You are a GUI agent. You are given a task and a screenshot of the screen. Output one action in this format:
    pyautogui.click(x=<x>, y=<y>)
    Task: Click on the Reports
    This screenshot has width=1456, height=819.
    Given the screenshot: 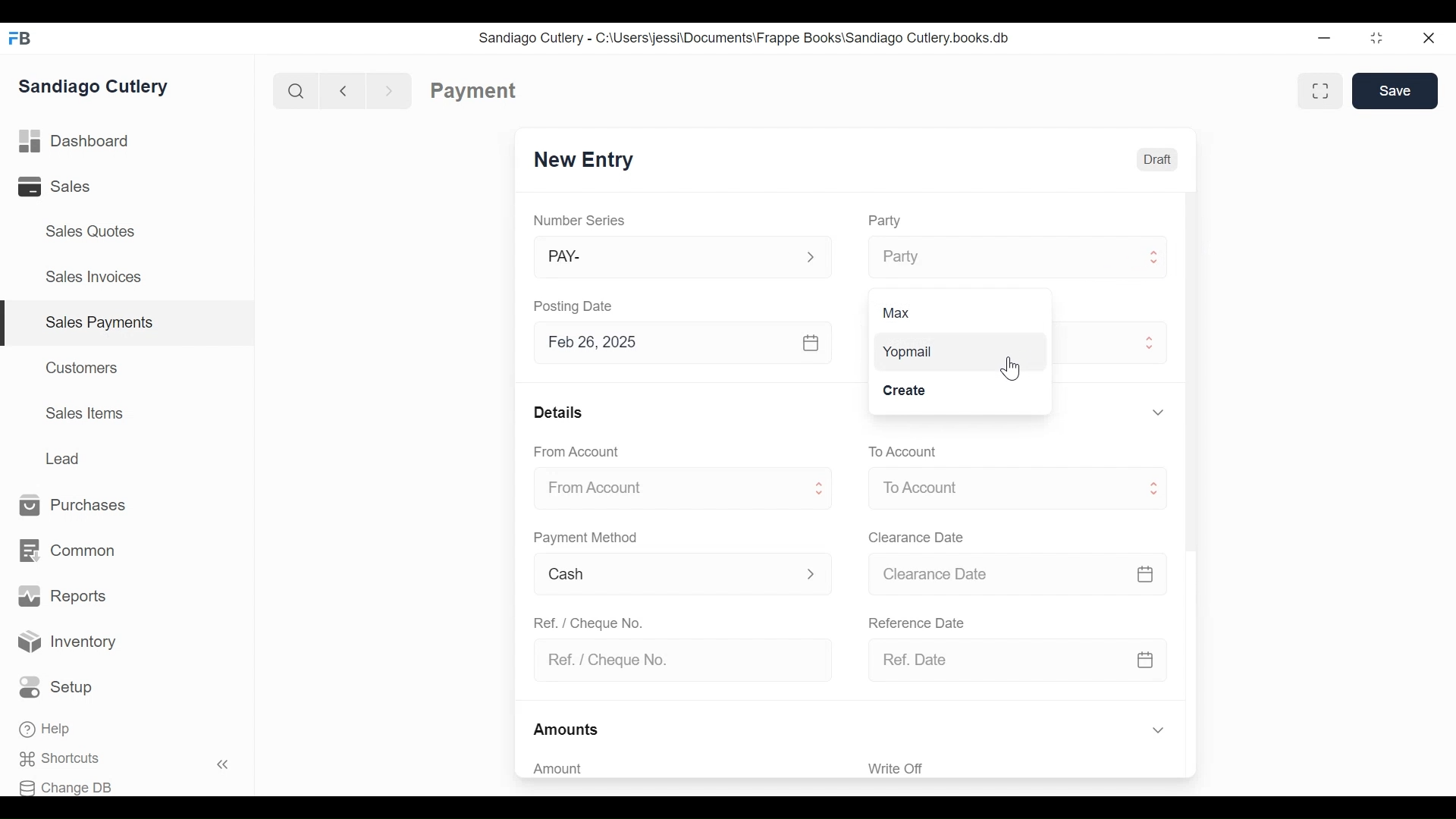 What is the action you would take?
    pyautogui.click(x=62, y=596)
    